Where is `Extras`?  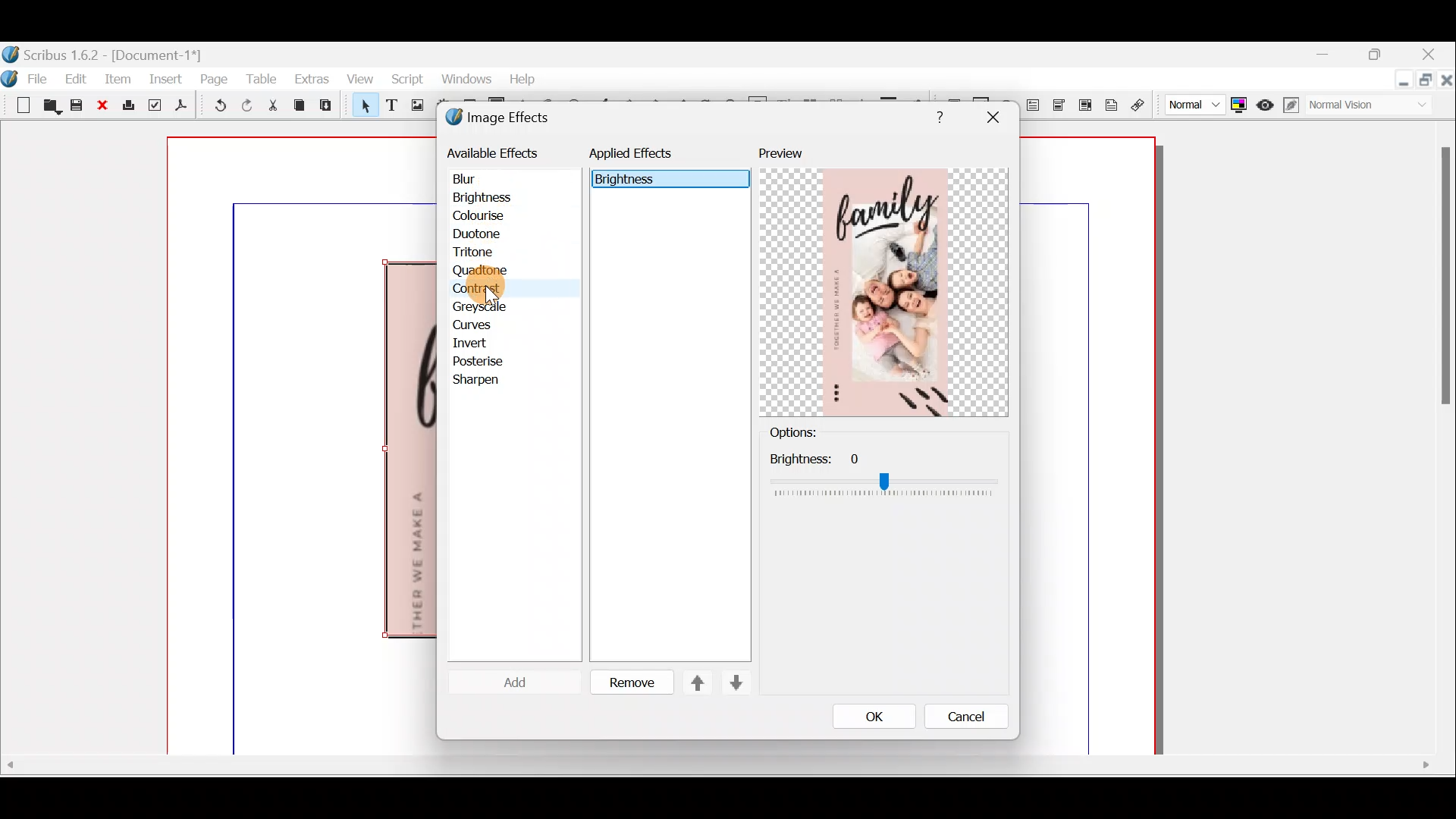 Extras is located at coordinates (312, 78).